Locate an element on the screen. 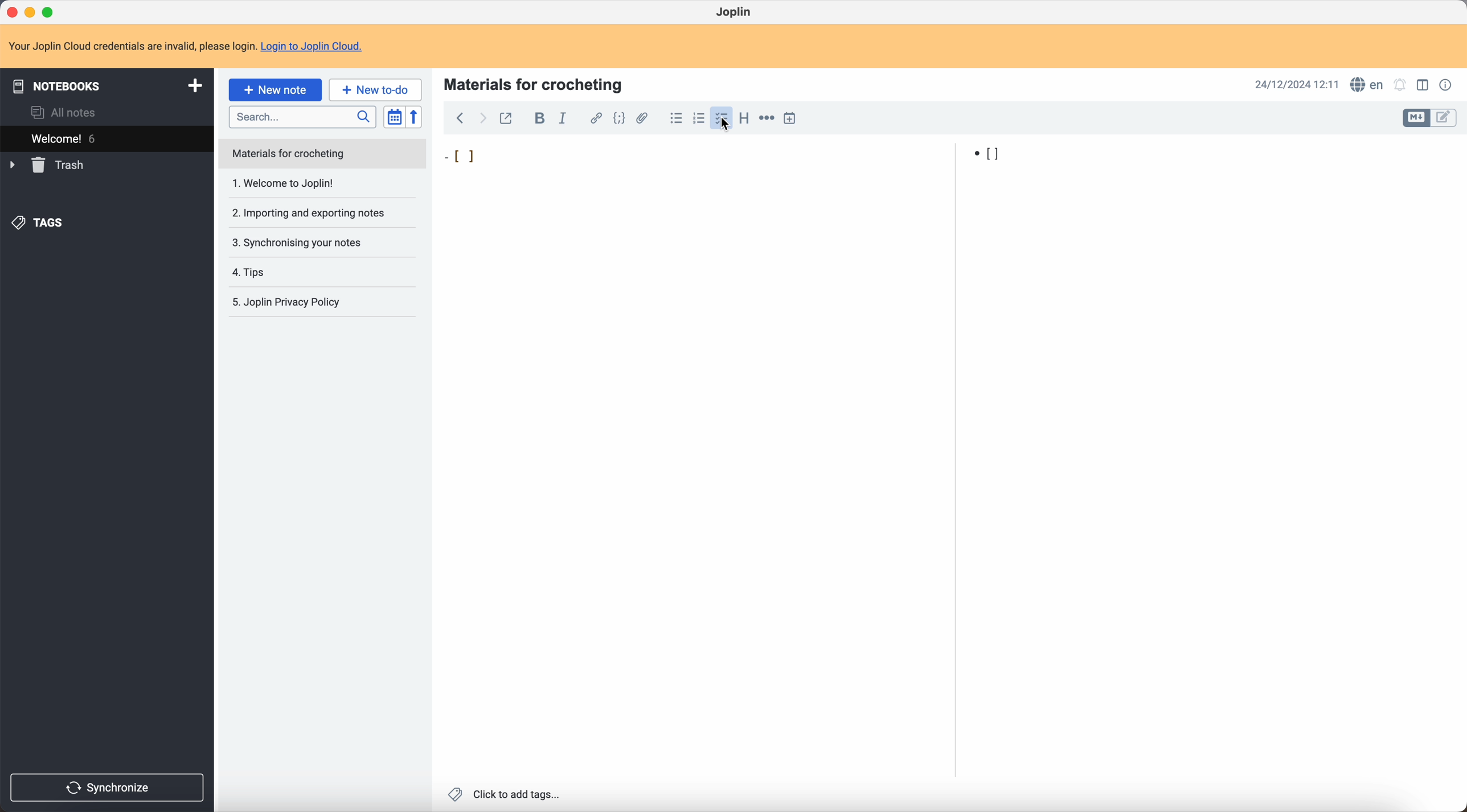  search bar is located at coordinates (302, 116).